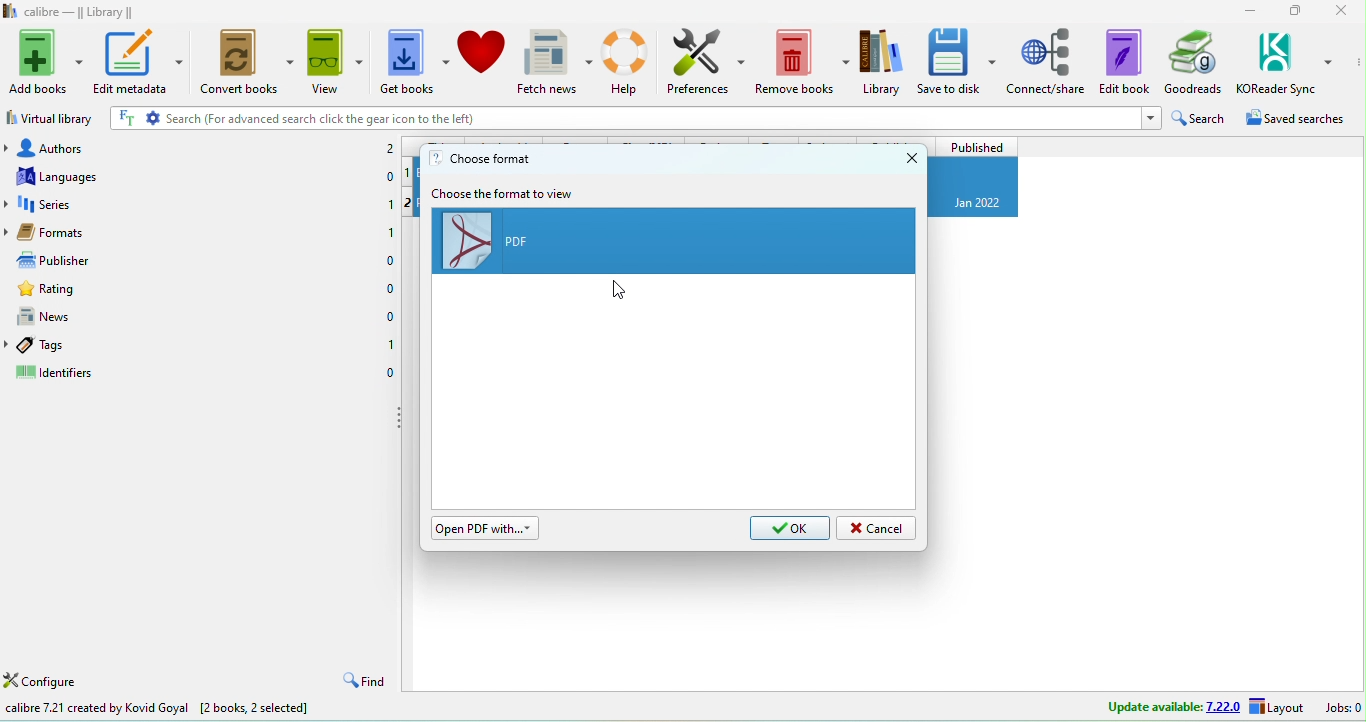 The image size is (1366, 722). Describe the element at coordinates (1296, 11) in the screenshot. I see `maximize` at that location.